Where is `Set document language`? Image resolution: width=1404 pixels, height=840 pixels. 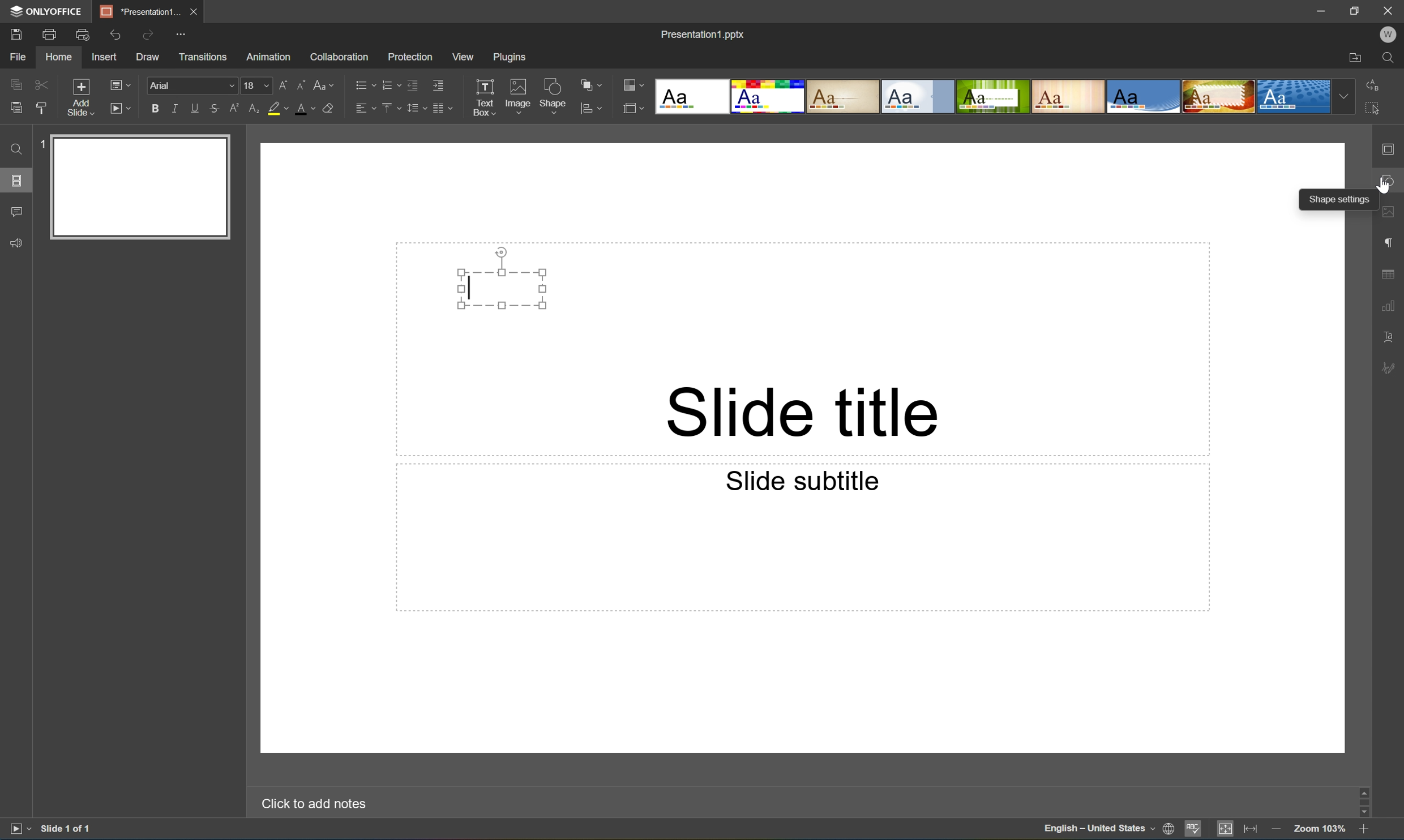
Set document language is located at coordinates (1171, 830).